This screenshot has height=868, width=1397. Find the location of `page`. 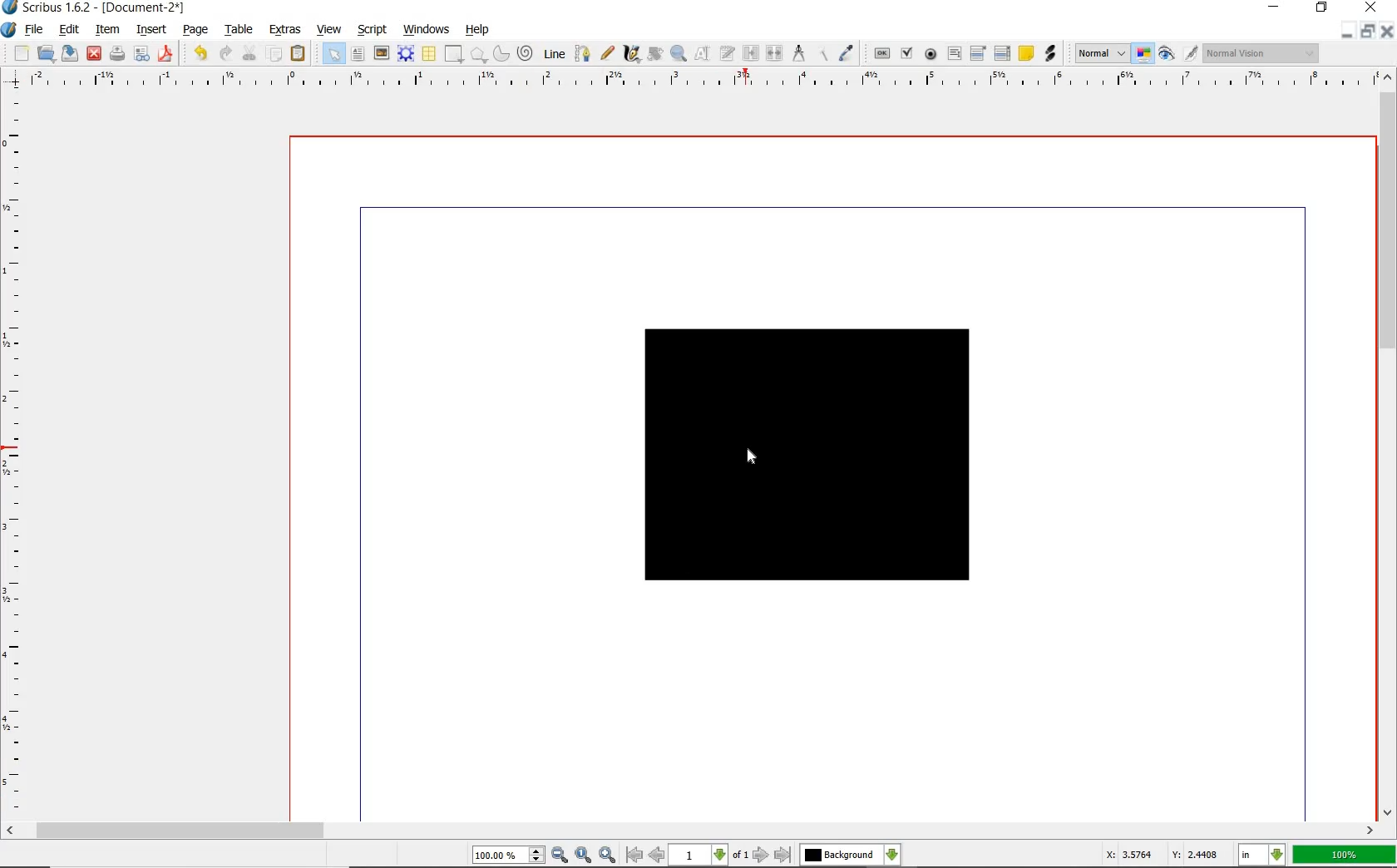

page is located at coordinates (196, 32).